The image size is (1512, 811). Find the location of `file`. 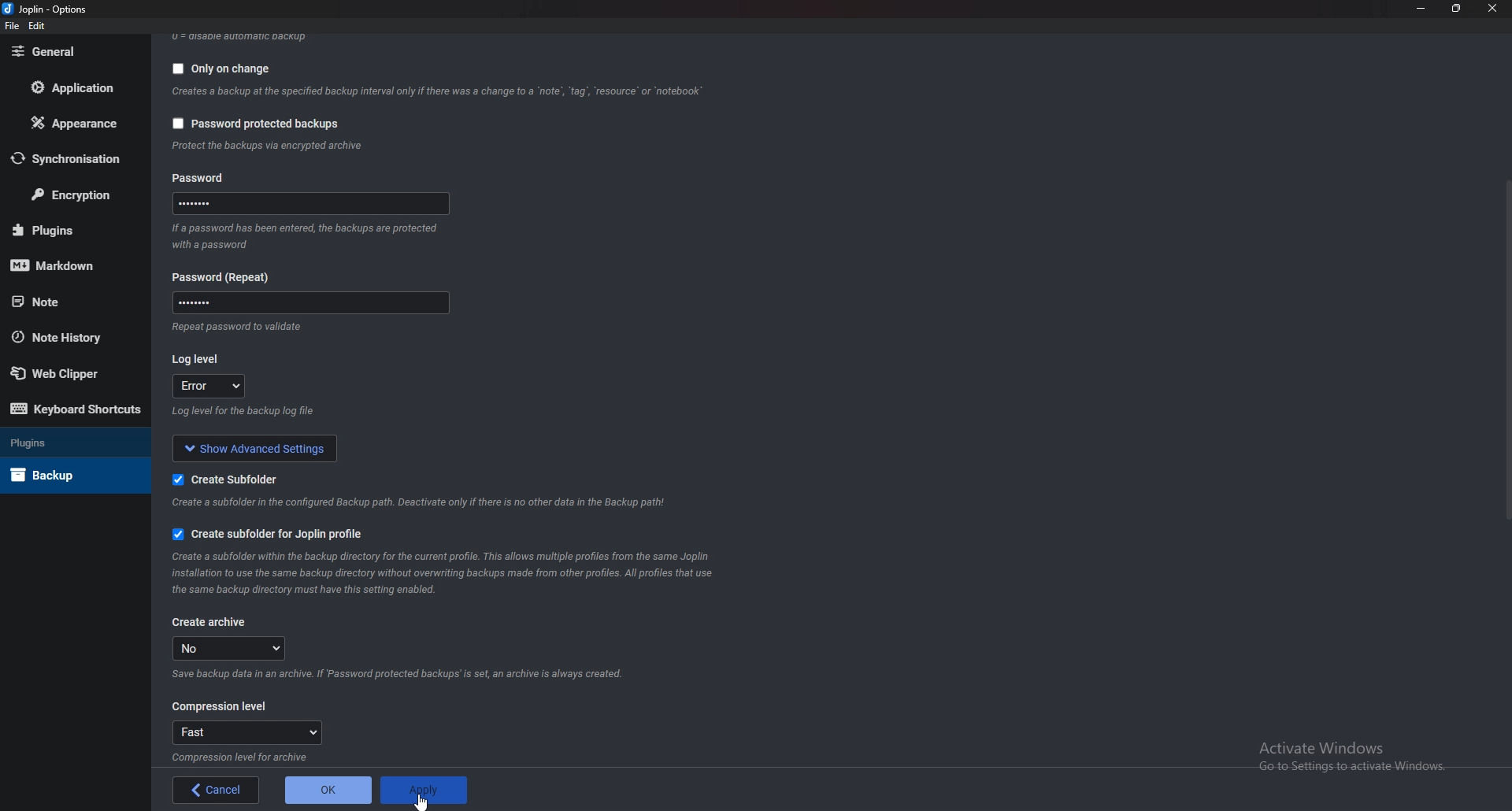

file is located at coordinates (13, 26).